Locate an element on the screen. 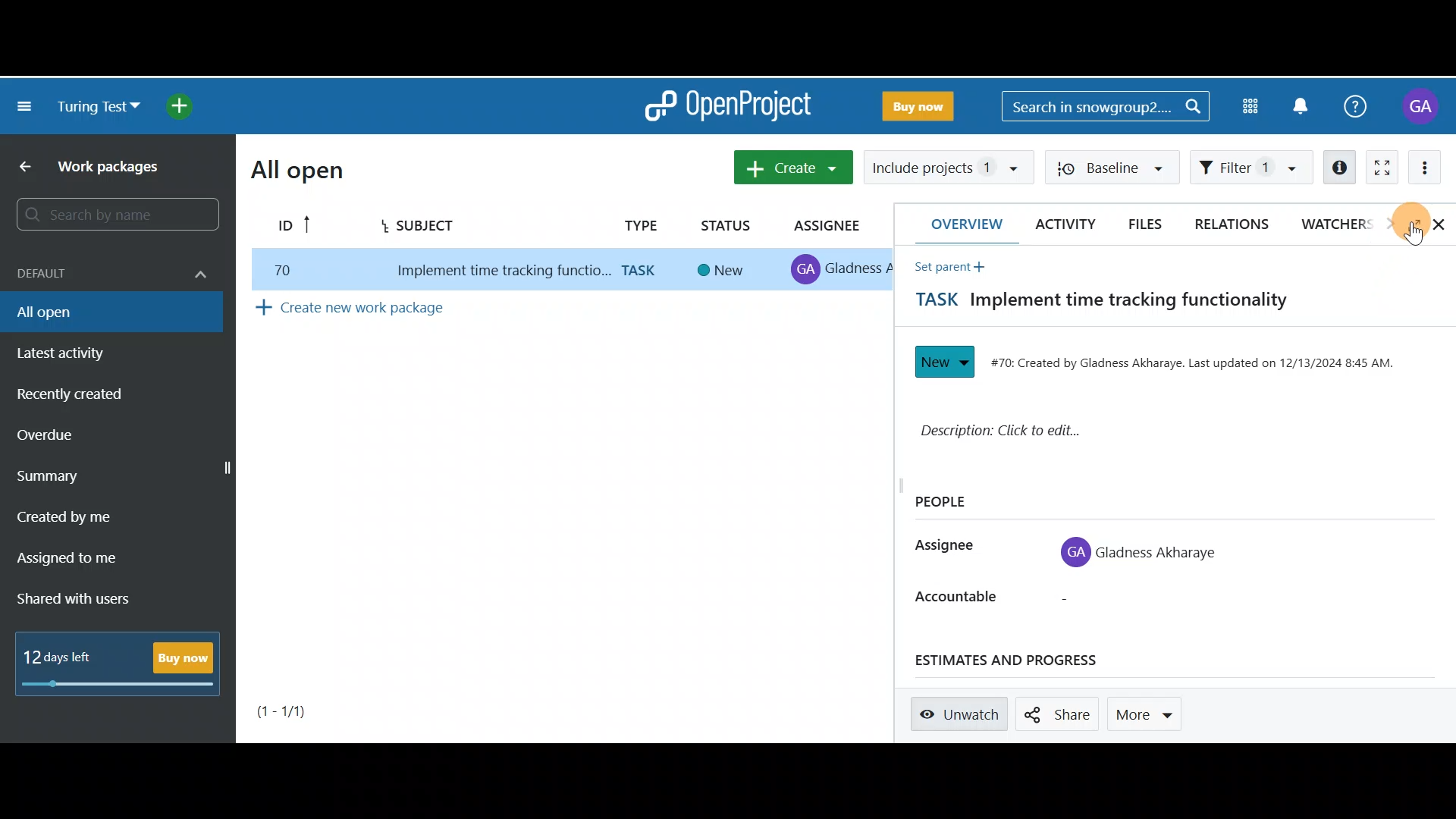 The width and height of the screenshot is (1456, 819). Turing test is located at coordinates (99, 107).